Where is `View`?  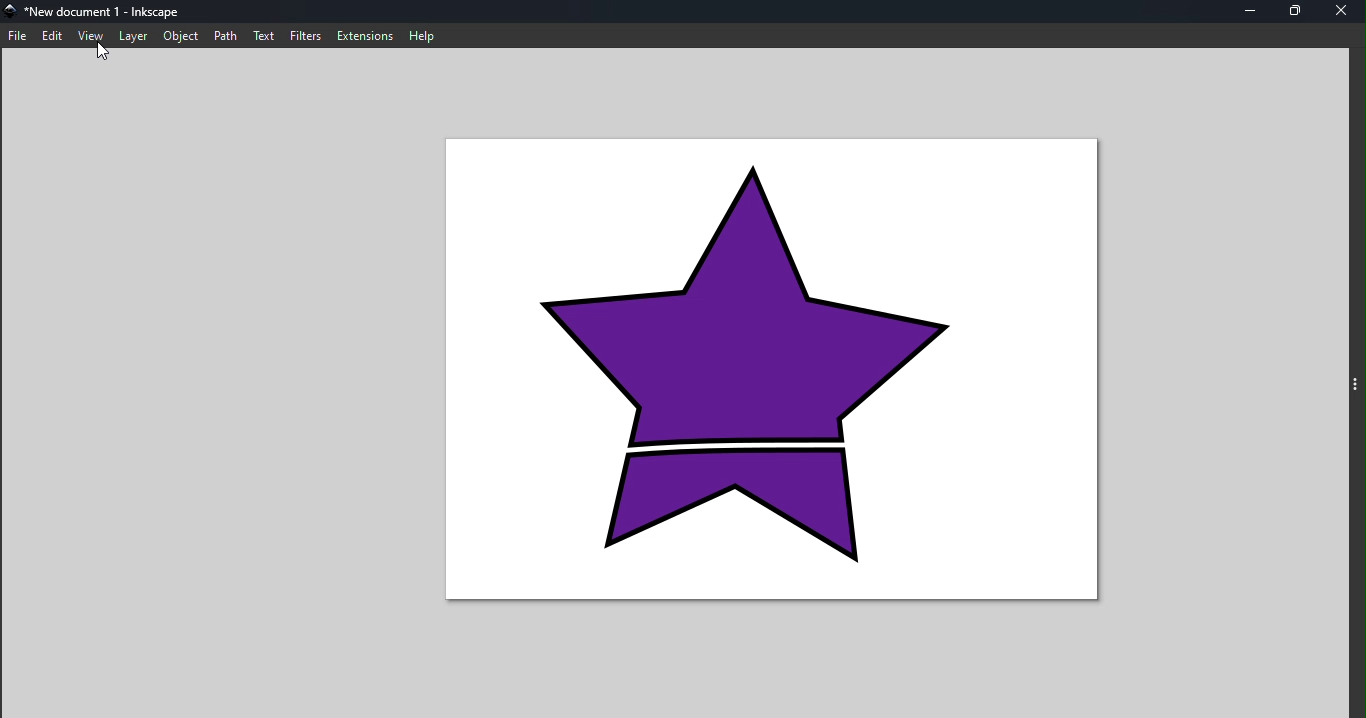
View is located at coordinates (93, 33).